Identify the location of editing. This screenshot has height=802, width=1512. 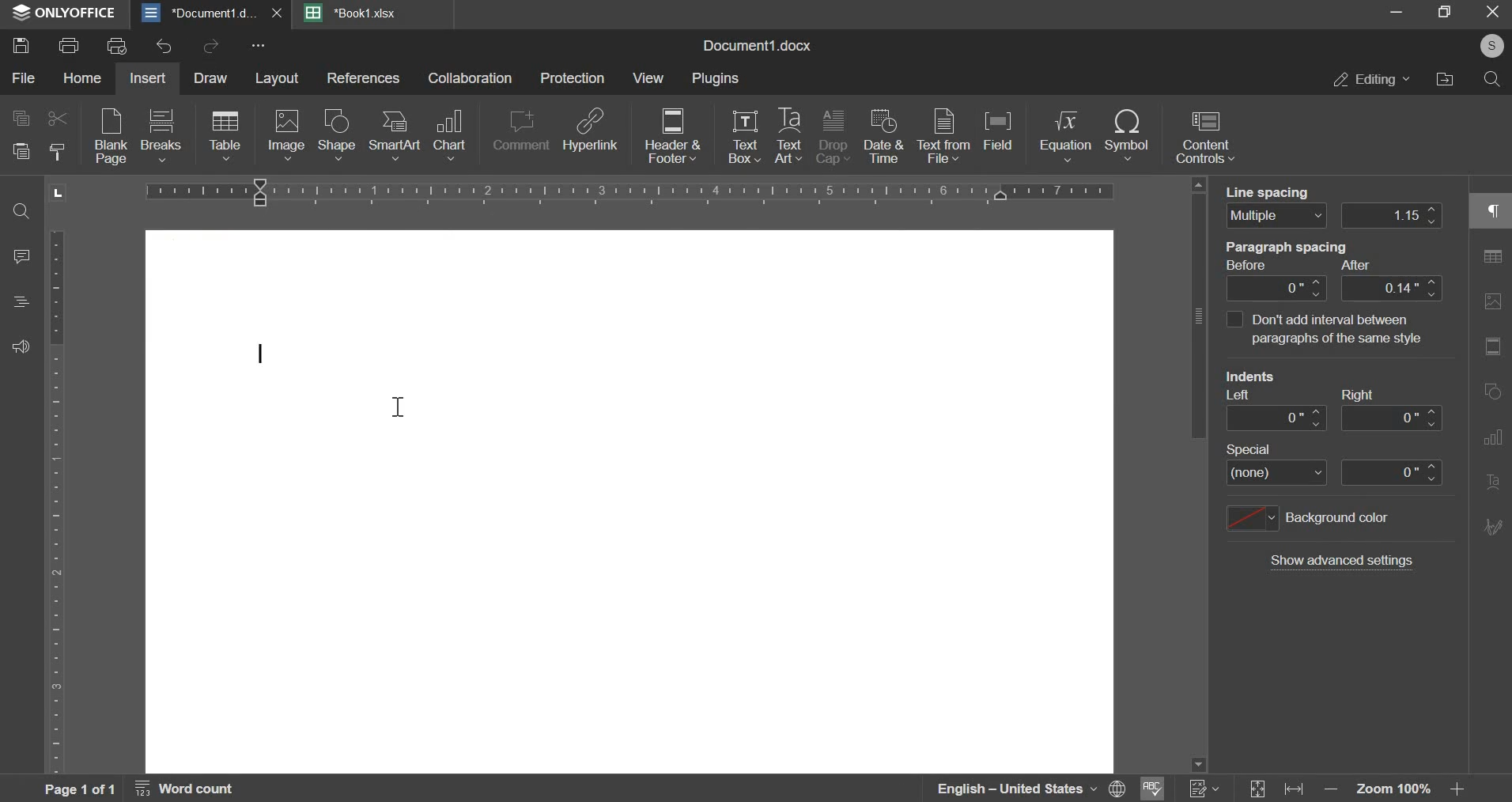
(1365, 82).